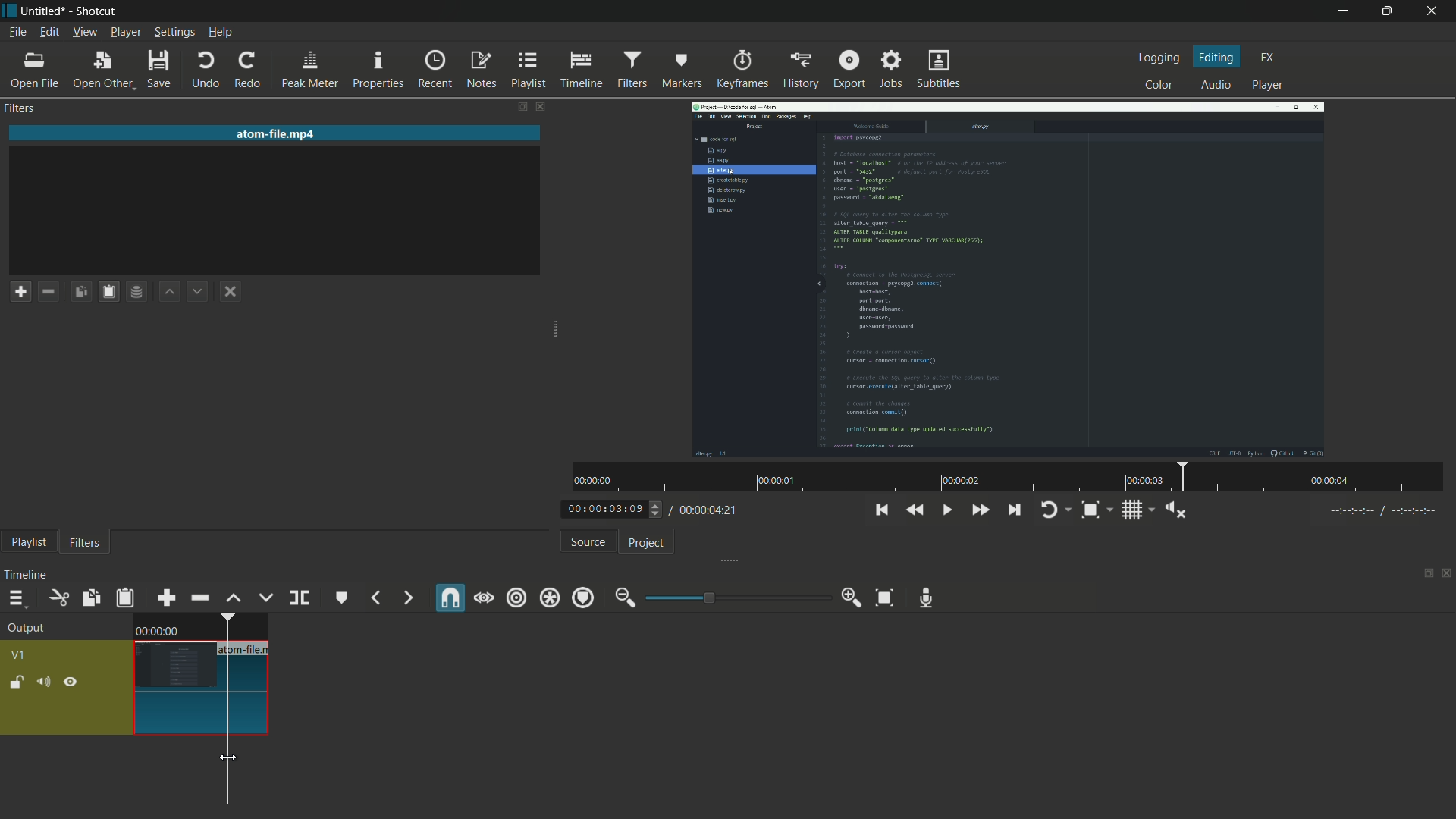  I want to click on edit menu, so click(49, 33).